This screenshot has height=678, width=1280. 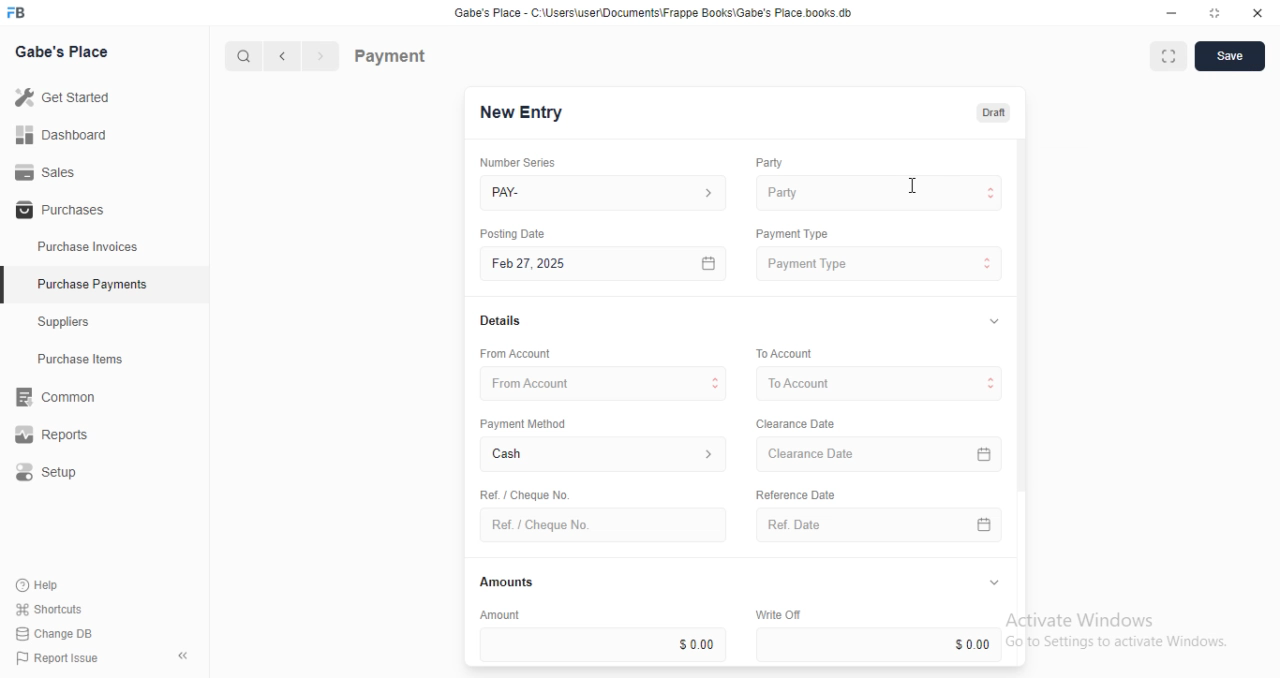 What do you see at coordinates (40, 586) in the screenshot?
I see `Help` at bounding box center [40, 586].